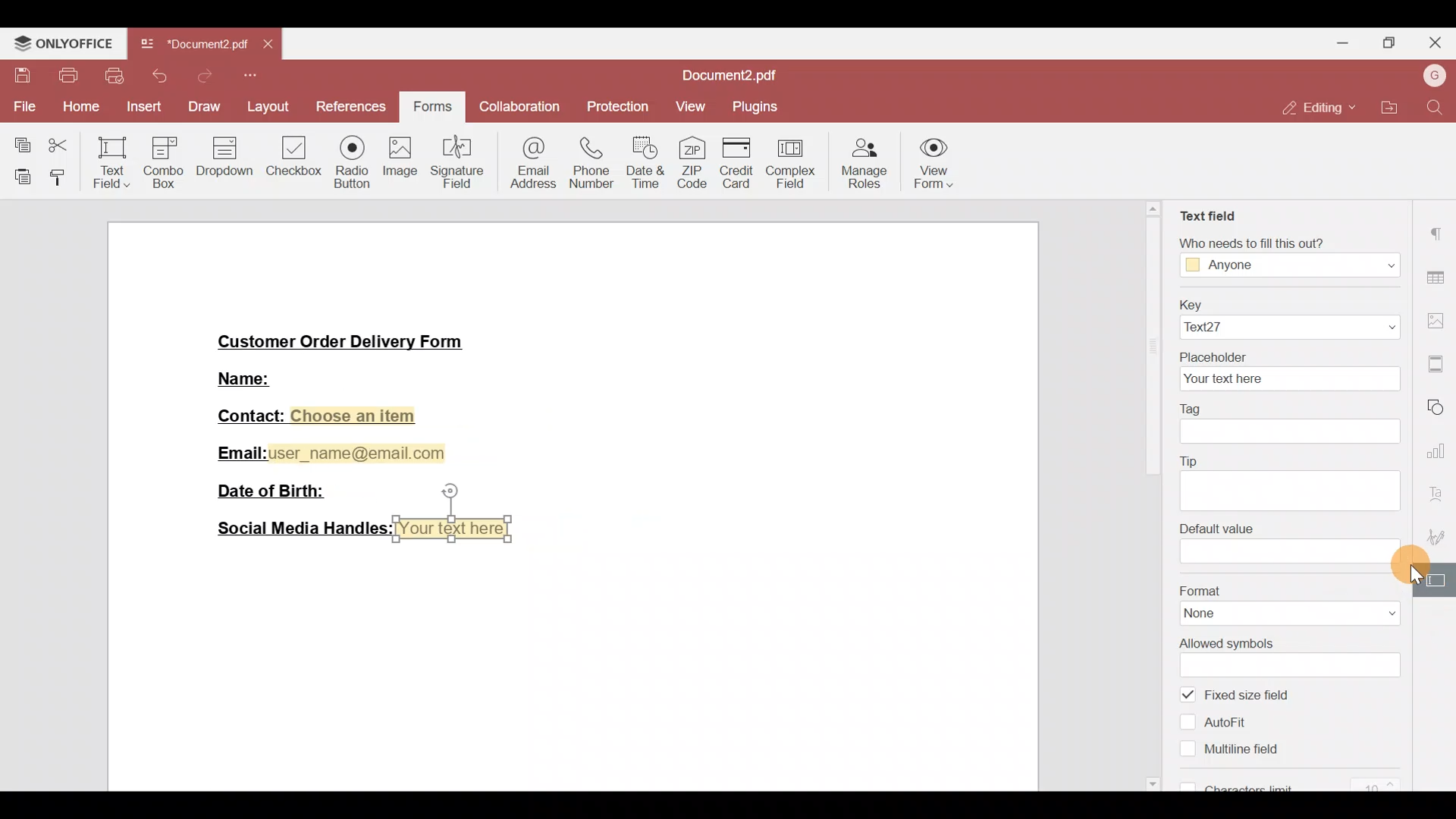 The width and height of the screenshot is (1456, 819). Describe the element at coordinates (435, 103) in the screenshot. I see `Forms` at that location.